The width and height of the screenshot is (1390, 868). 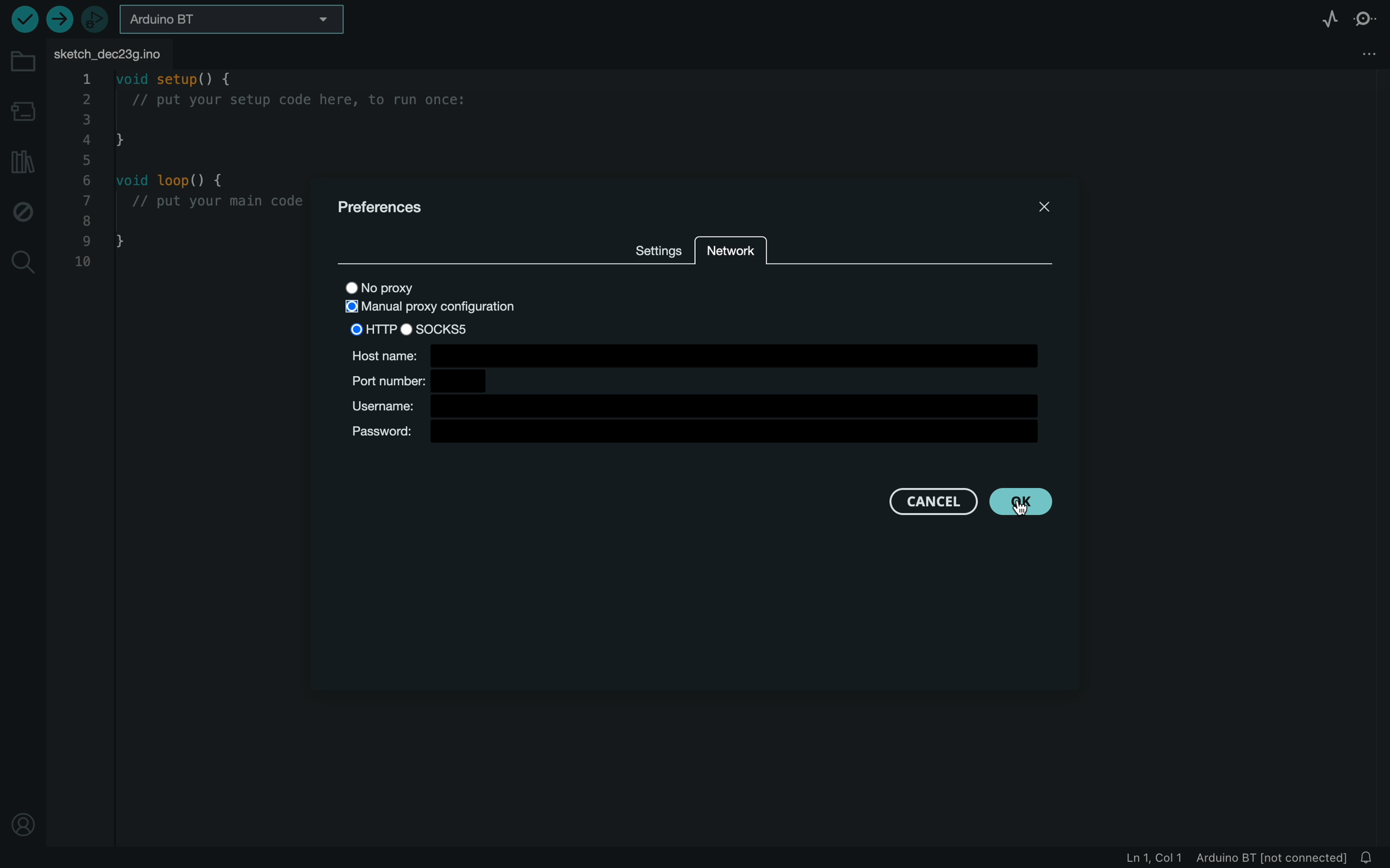 What do you see at coordinates (689, 356) in the screenshot?
I see `host name` at bounding box center [689, 356].